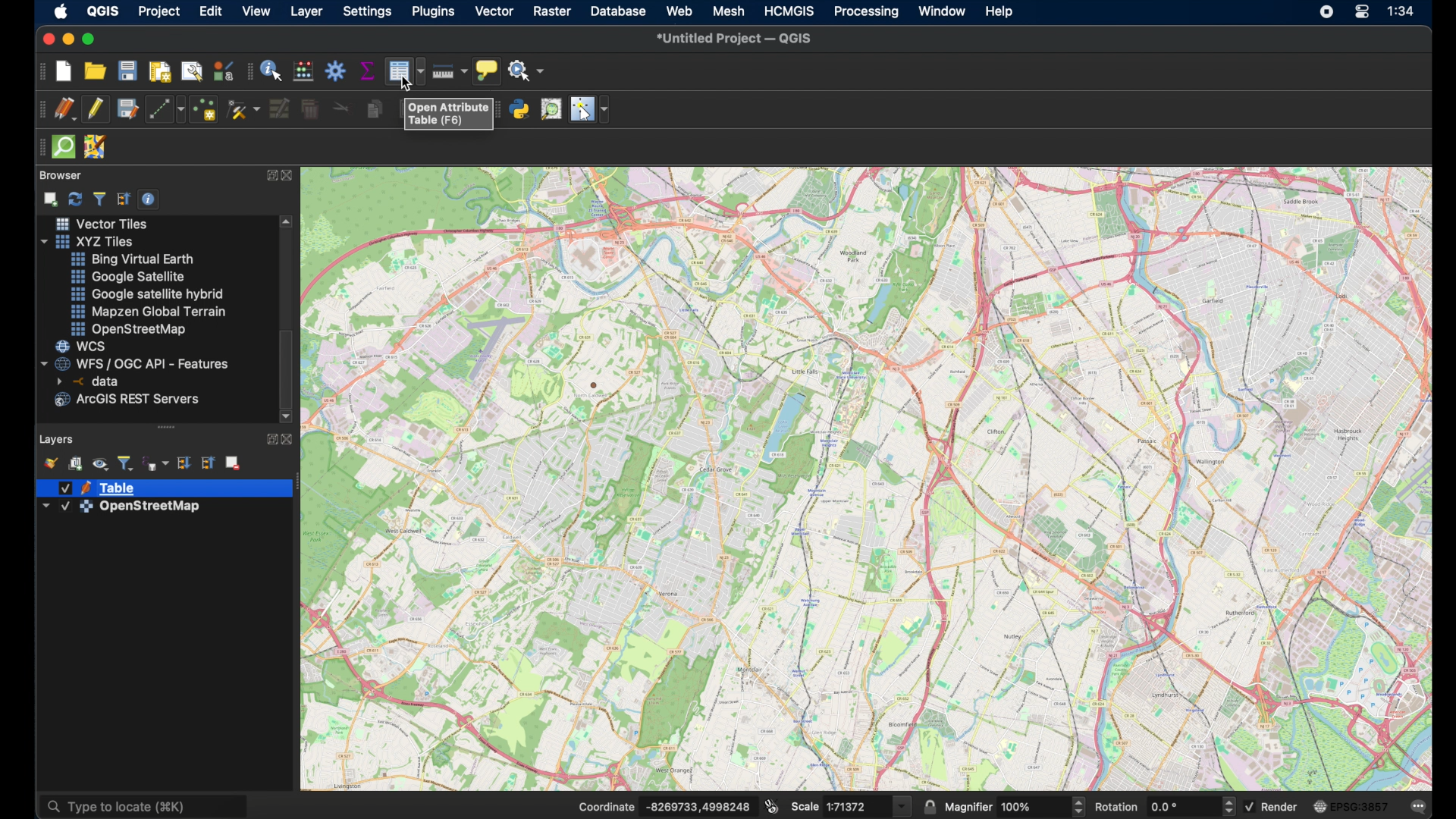  Describe the element at coordinates (404, 72) in the screenshot. I see `open attribute table` at that location.